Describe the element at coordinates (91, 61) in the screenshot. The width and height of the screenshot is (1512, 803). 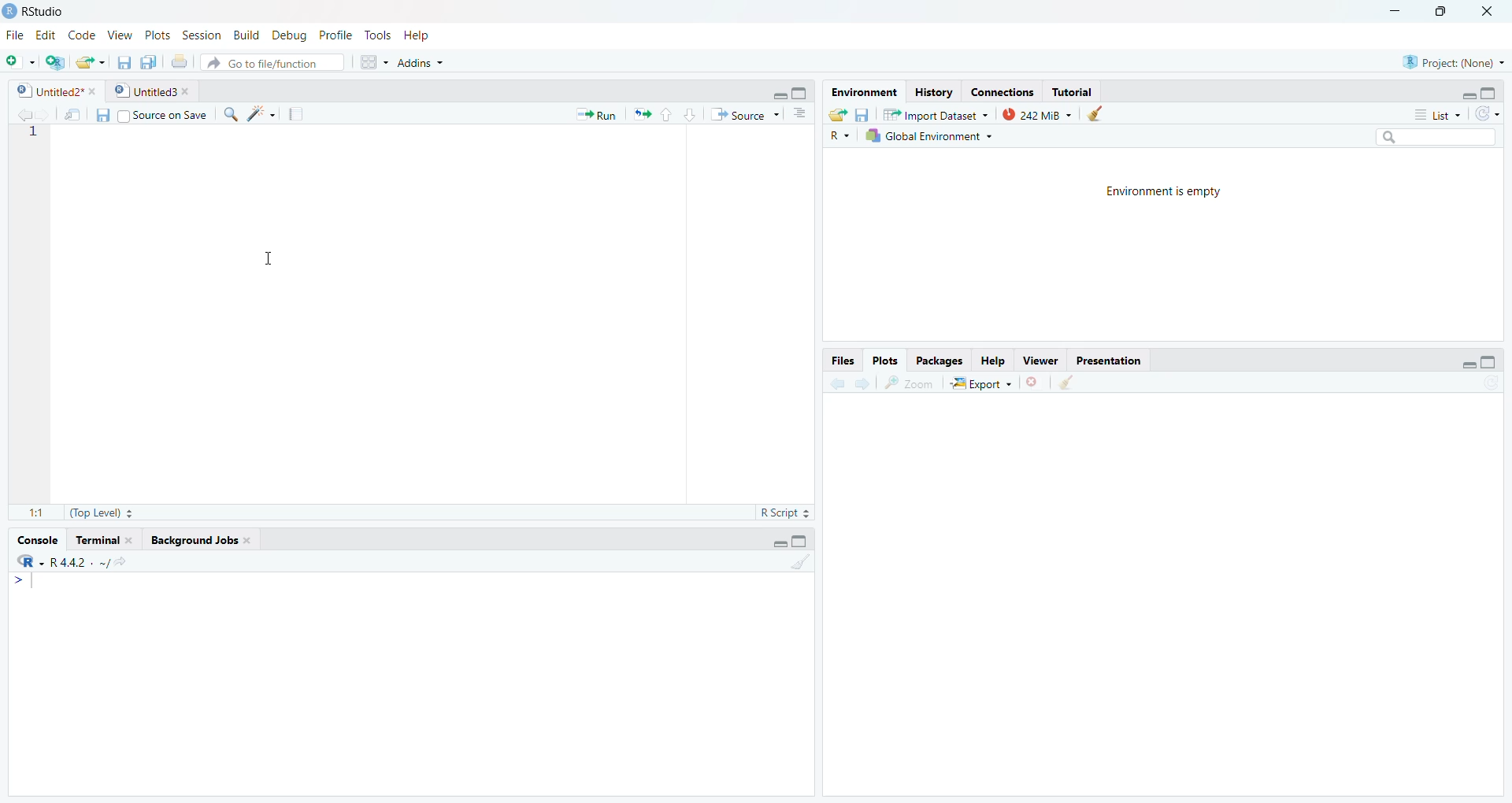
I see `open an existing file` at that location.